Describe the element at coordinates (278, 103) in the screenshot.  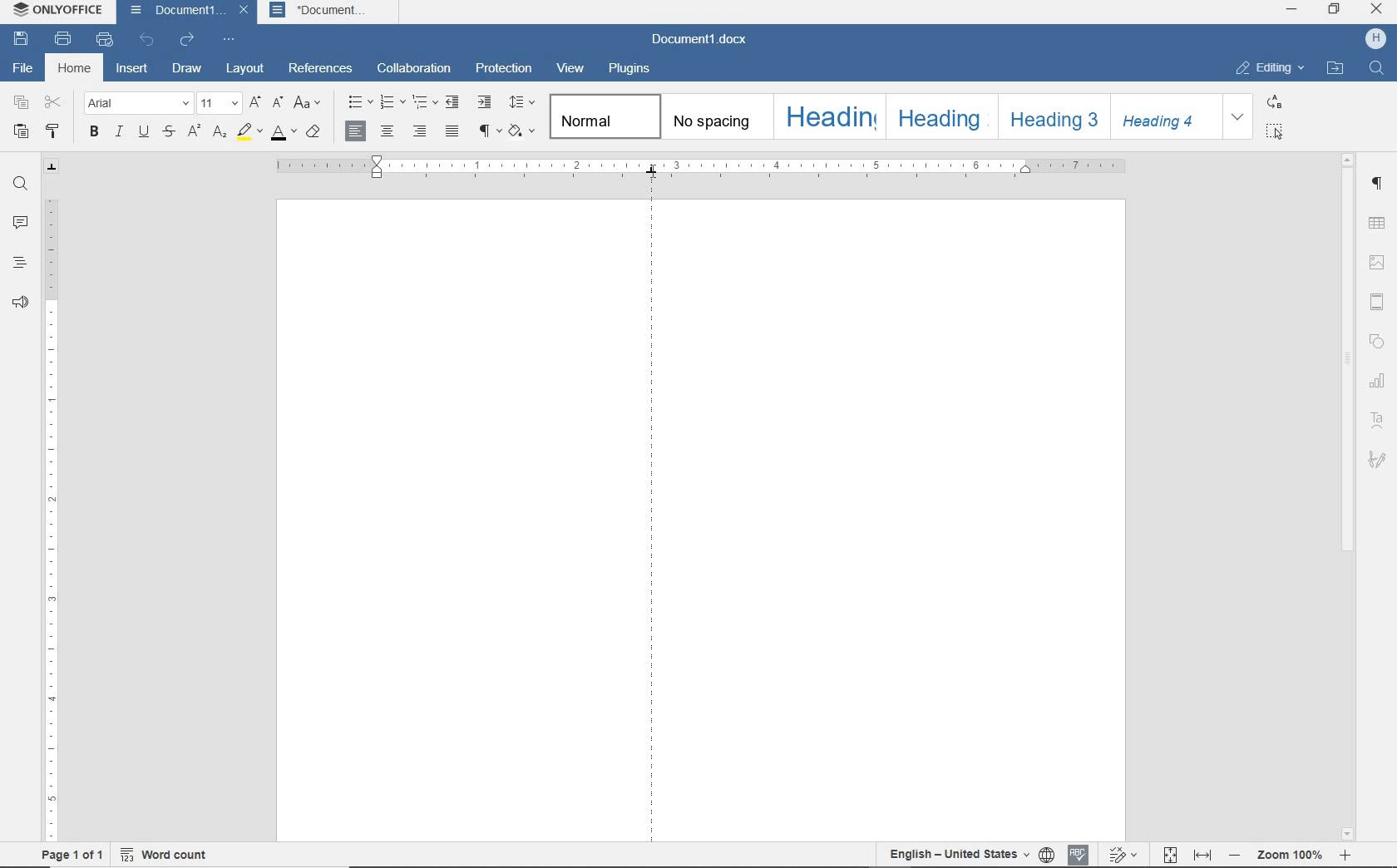
I see `DECREMENT FONT SIZE` at that location.